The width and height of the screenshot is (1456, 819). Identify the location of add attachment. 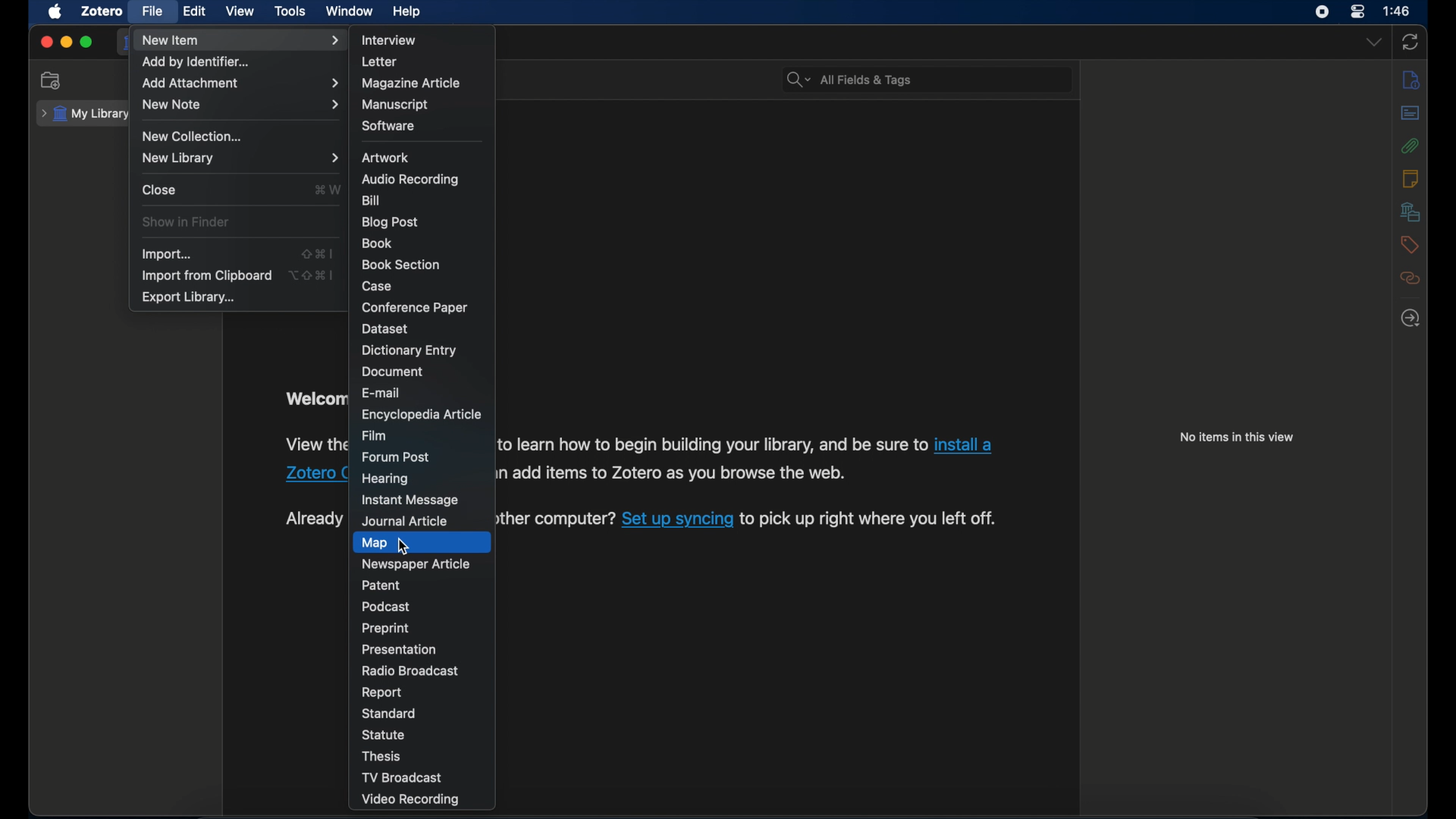
(240, 83).